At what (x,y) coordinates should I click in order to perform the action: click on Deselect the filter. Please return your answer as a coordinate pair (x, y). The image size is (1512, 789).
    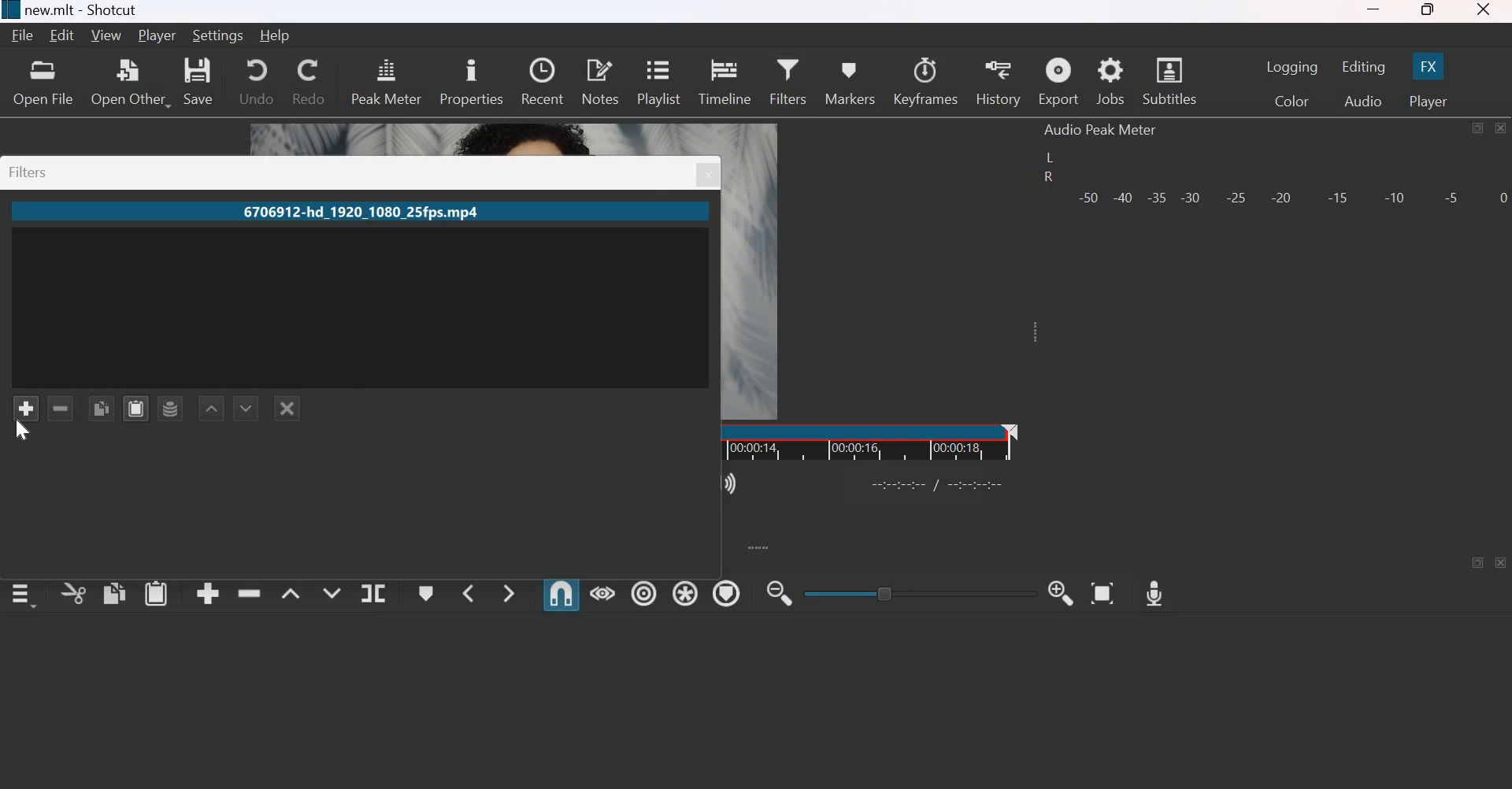
    Looking at the image, I should click on (287, 408).